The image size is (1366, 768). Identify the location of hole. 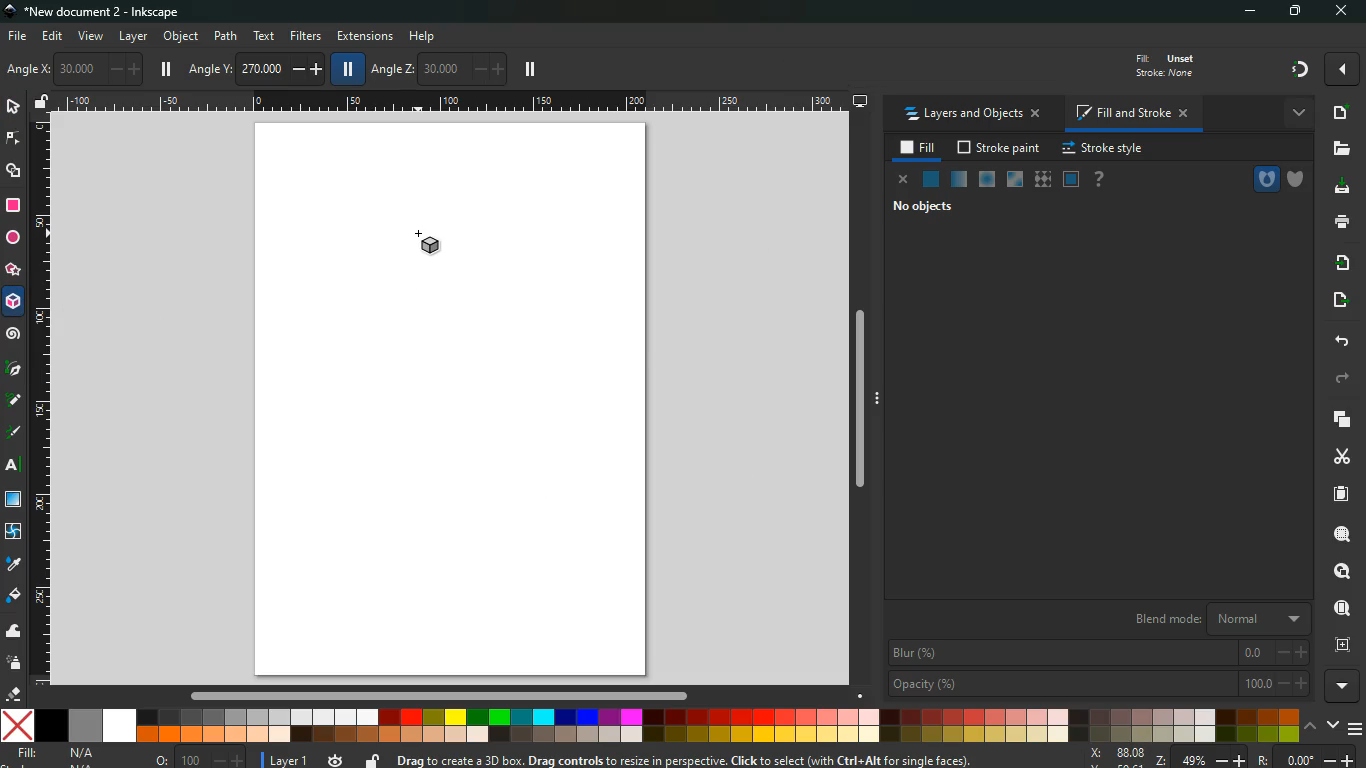
(1265, 179).